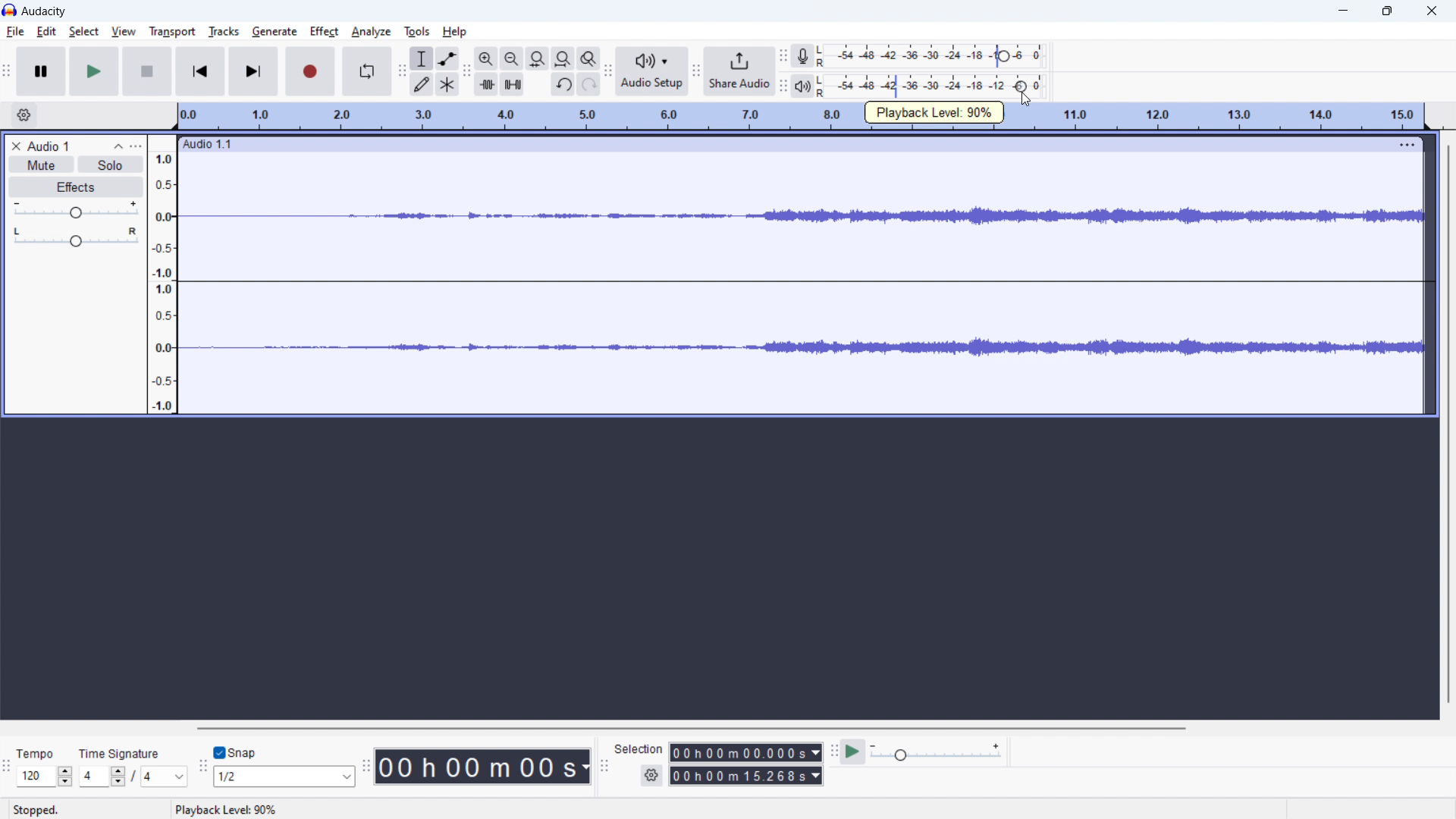 This screenshot has height=819, width=1456. Describe the element at coordinates (935, 112) in the screenshot. I see `plauback speed: 90%` at that location.